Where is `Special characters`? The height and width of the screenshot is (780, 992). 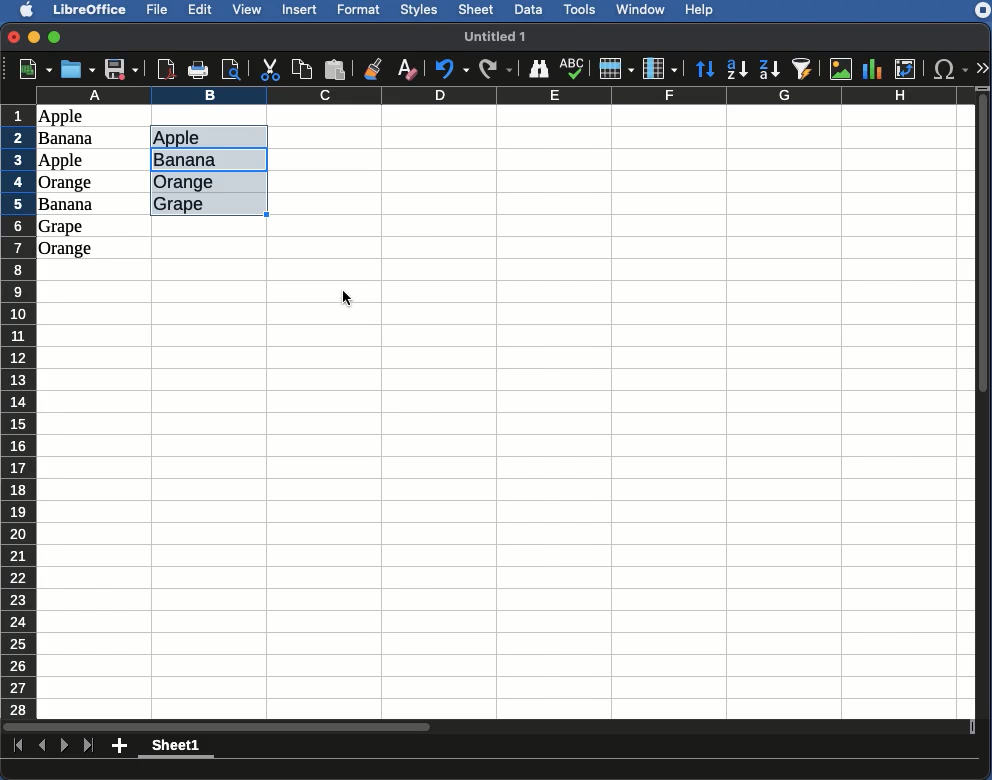 Special characters is located at coordinates (951, 68).